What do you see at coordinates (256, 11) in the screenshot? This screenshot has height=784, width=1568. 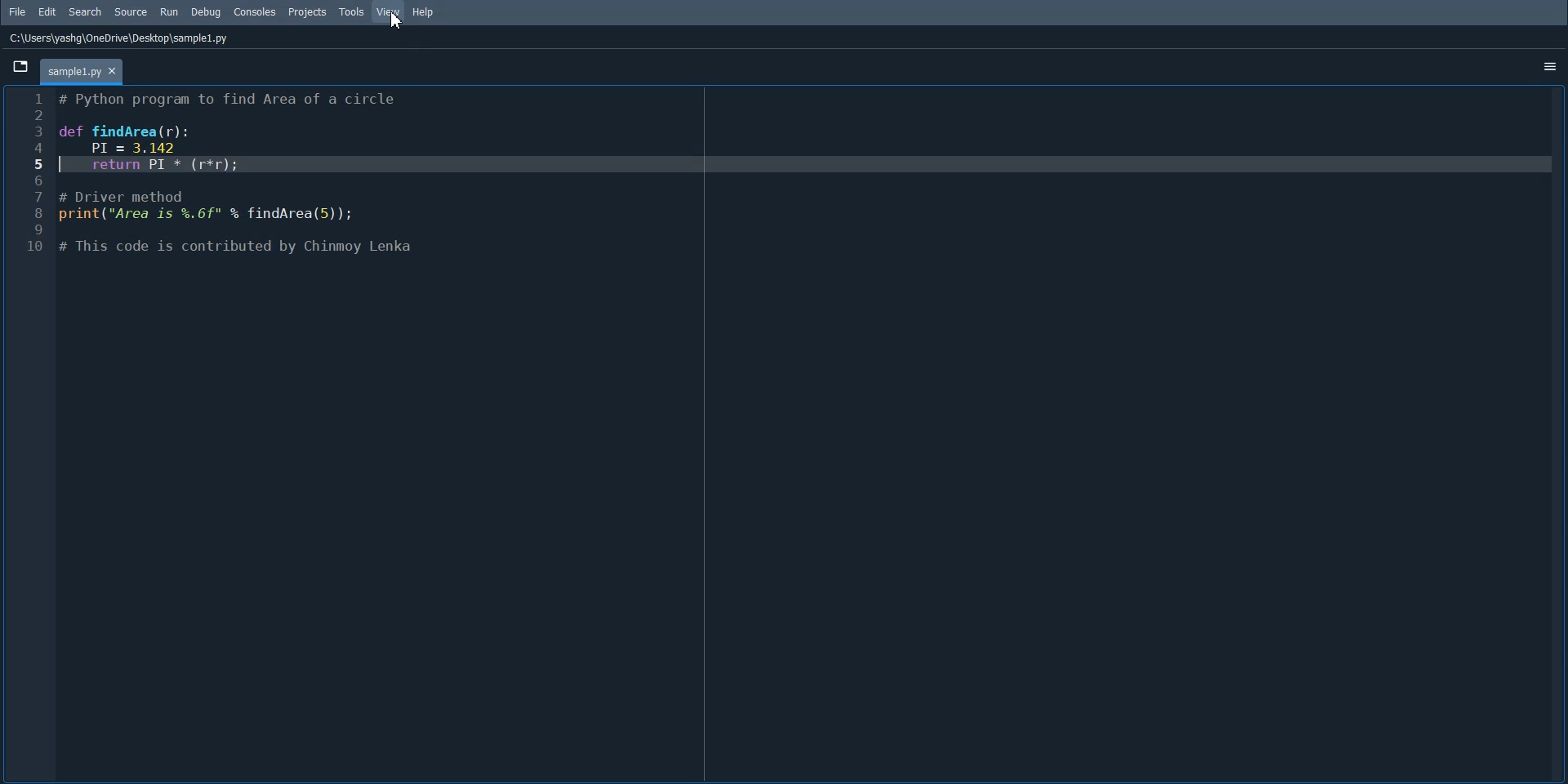 I see `Consoles` at bounding box center [256, 11].